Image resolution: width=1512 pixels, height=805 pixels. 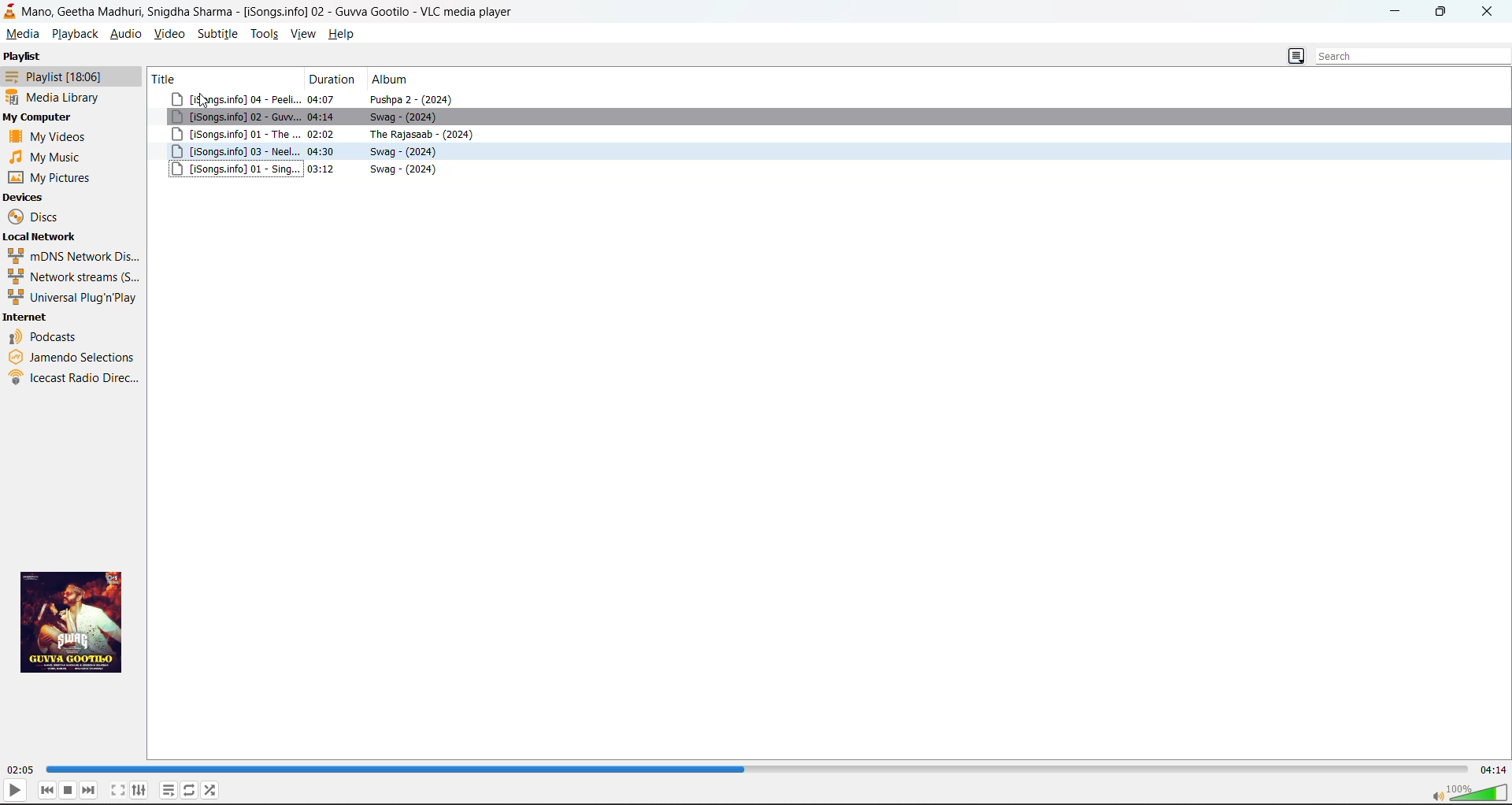 What do you see at coordinates (54, 177) in the screenshot?
I see `pictures` at bounding box center [54, 177].